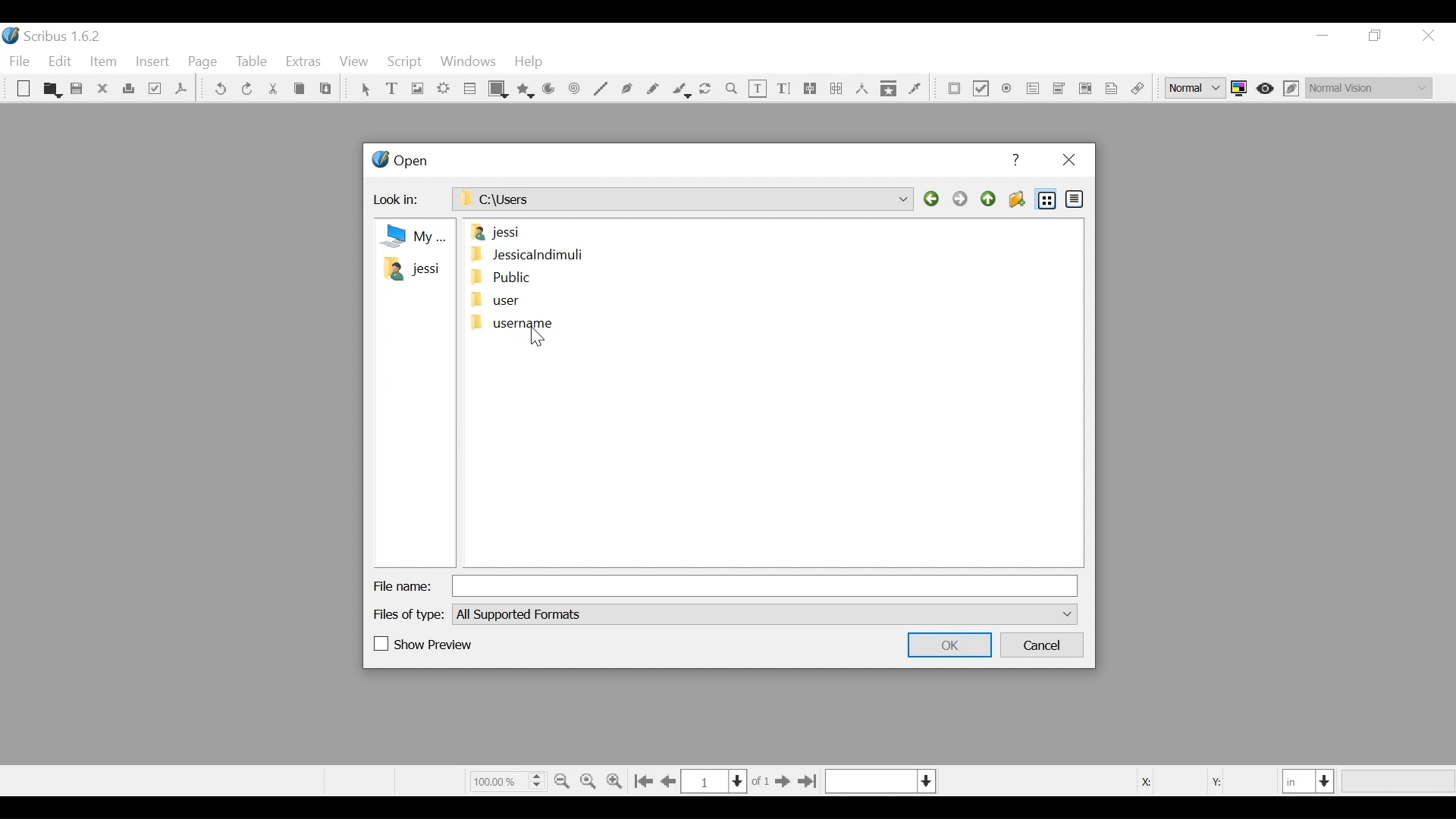  What do you see at coordinates (499, 89) in the screenshot?
I see `Shape` at bounding box center [499, 89].